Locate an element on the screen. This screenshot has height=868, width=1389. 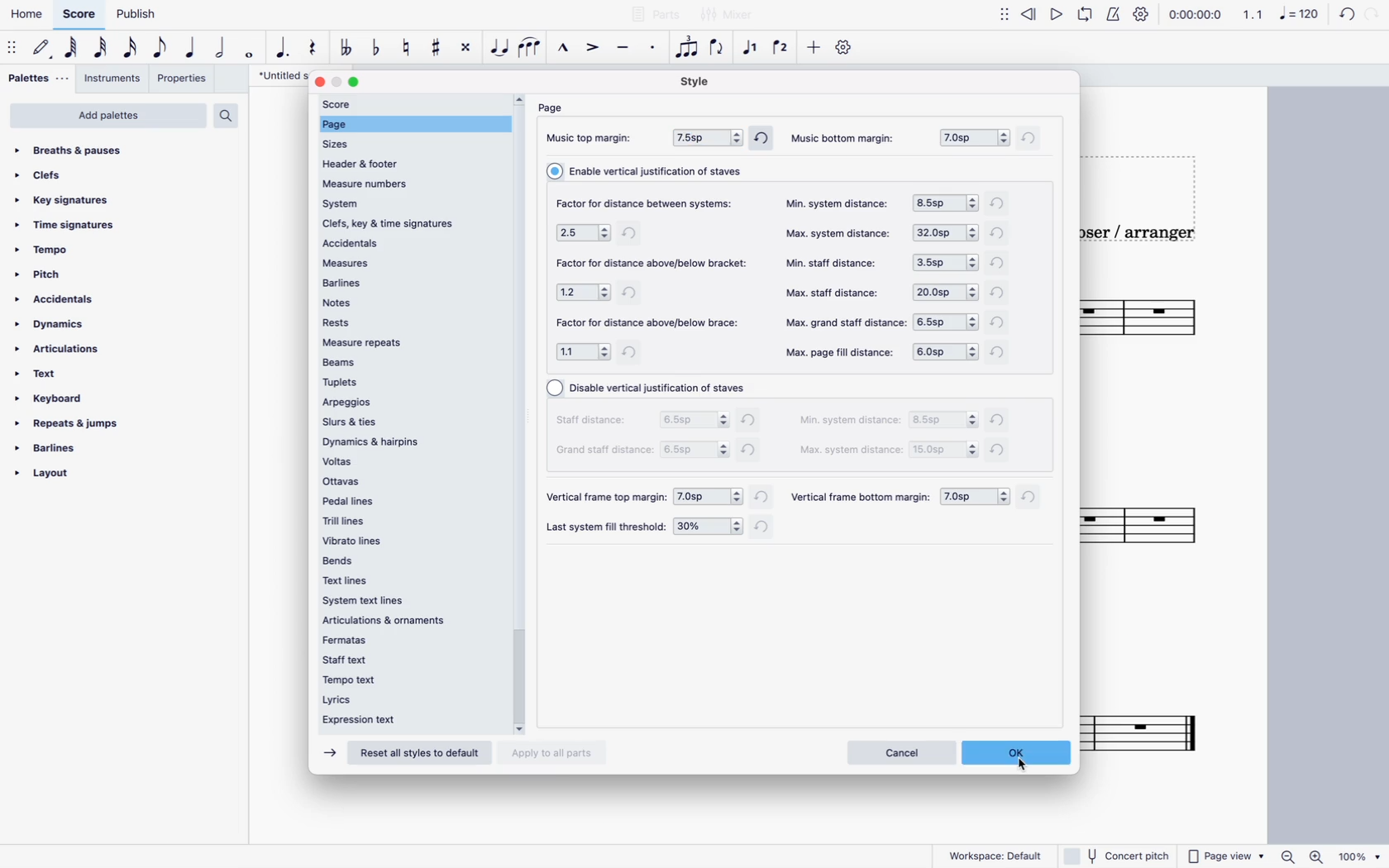
options is located at coordinates (944, 420).